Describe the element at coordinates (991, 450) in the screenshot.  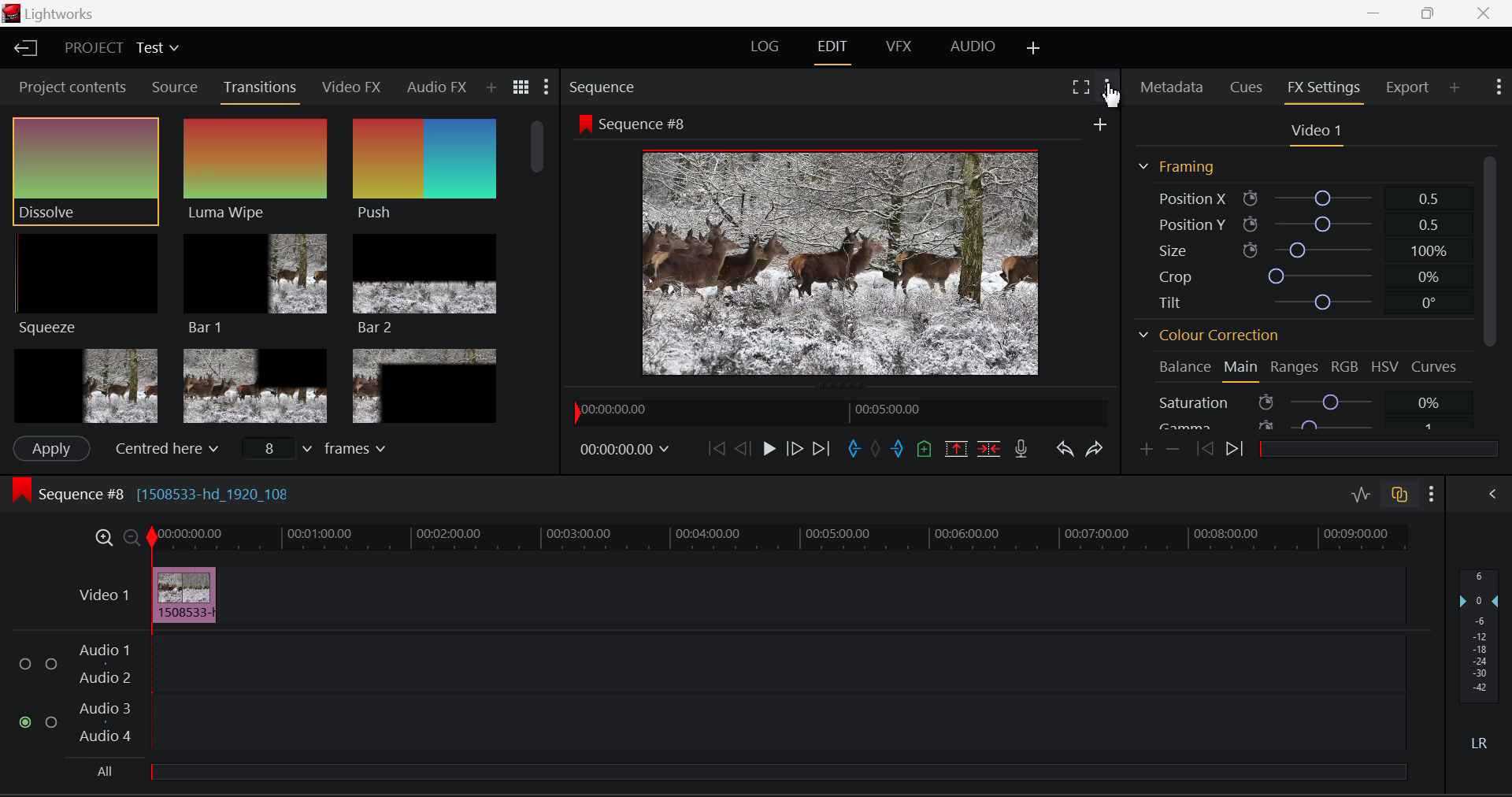
I see `Delete/Cut` at that location.